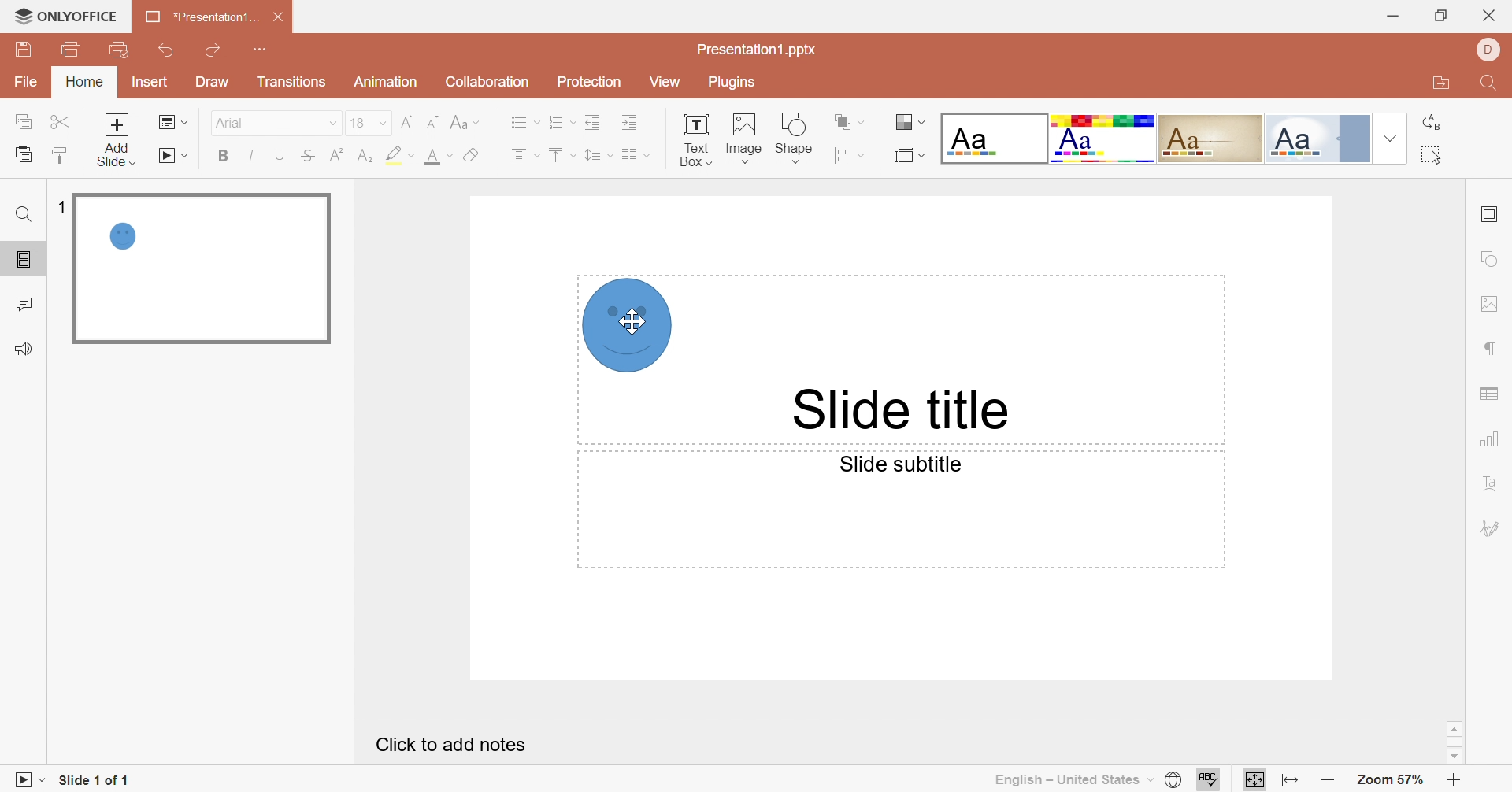 This screenshot has height=792, width=1512. What do you see at coordinates (796, 137) in the screenshot?
I see `Shape` at bounding box center [796, 137].